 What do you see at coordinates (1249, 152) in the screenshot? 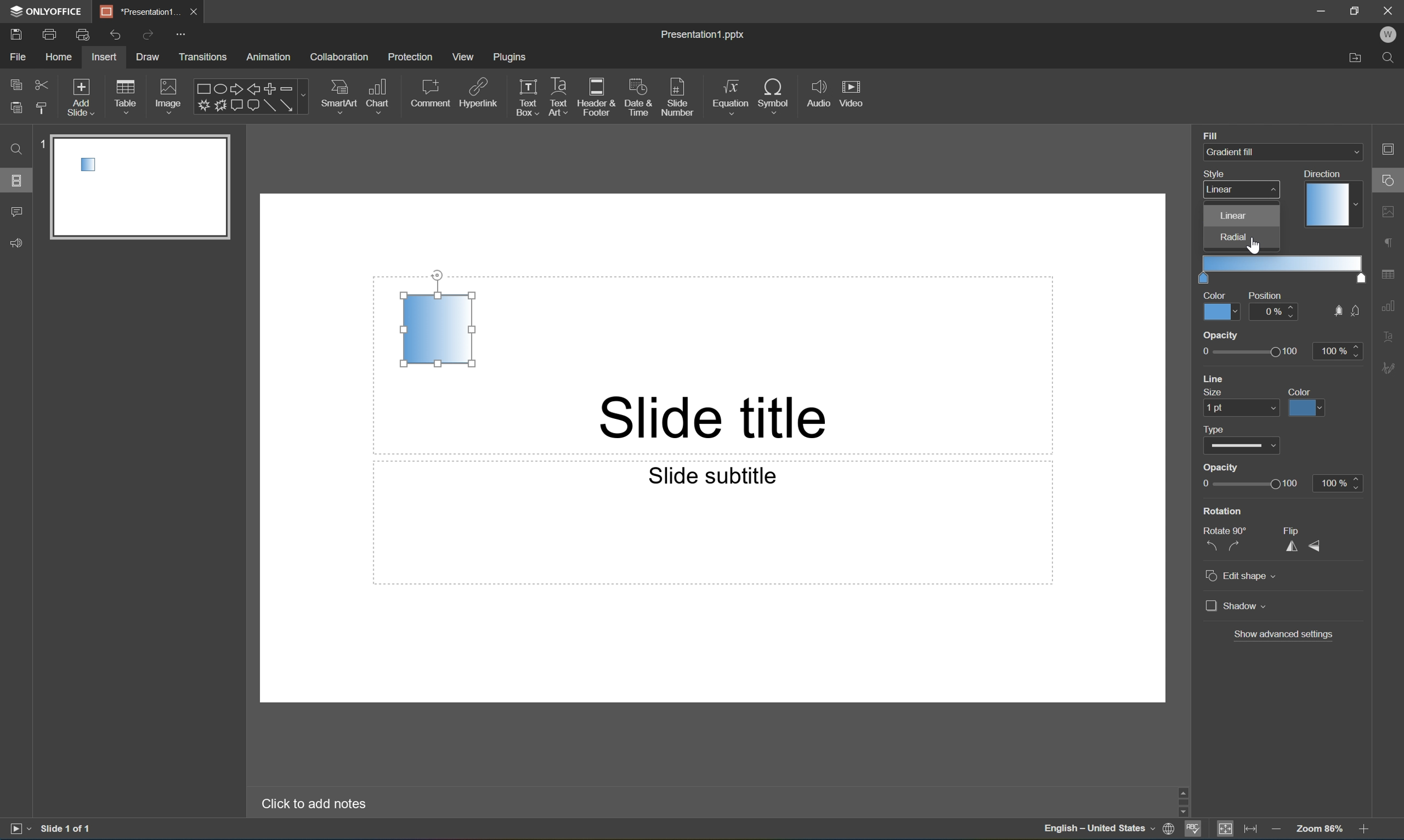
I see `Gradient fill` at bounding box center [1249, 152].